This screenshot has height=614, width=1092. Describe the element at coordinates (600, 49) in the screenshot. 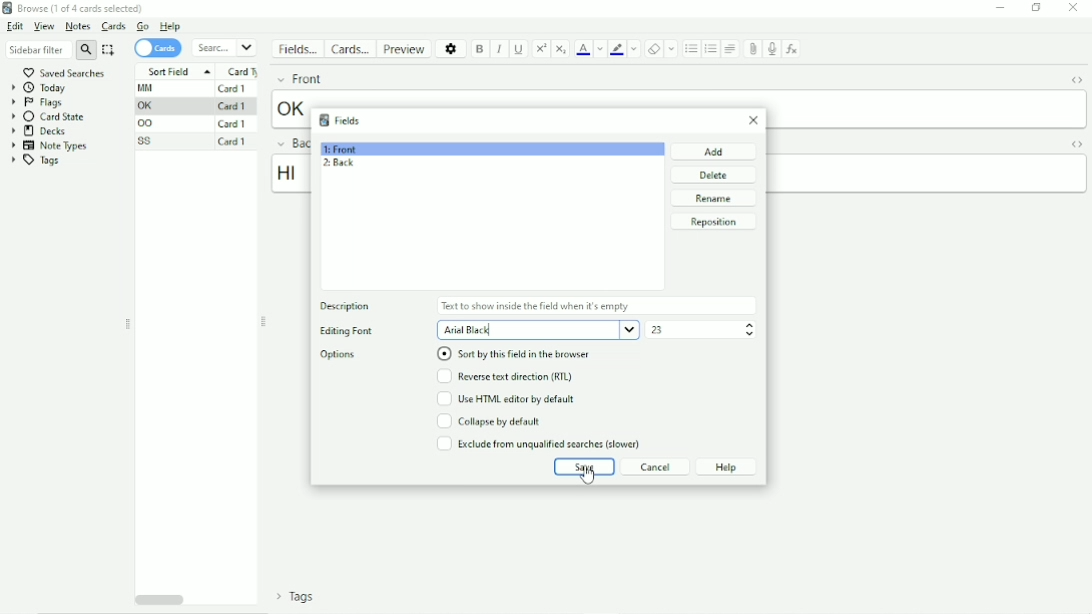

I see `Change color` at that location.